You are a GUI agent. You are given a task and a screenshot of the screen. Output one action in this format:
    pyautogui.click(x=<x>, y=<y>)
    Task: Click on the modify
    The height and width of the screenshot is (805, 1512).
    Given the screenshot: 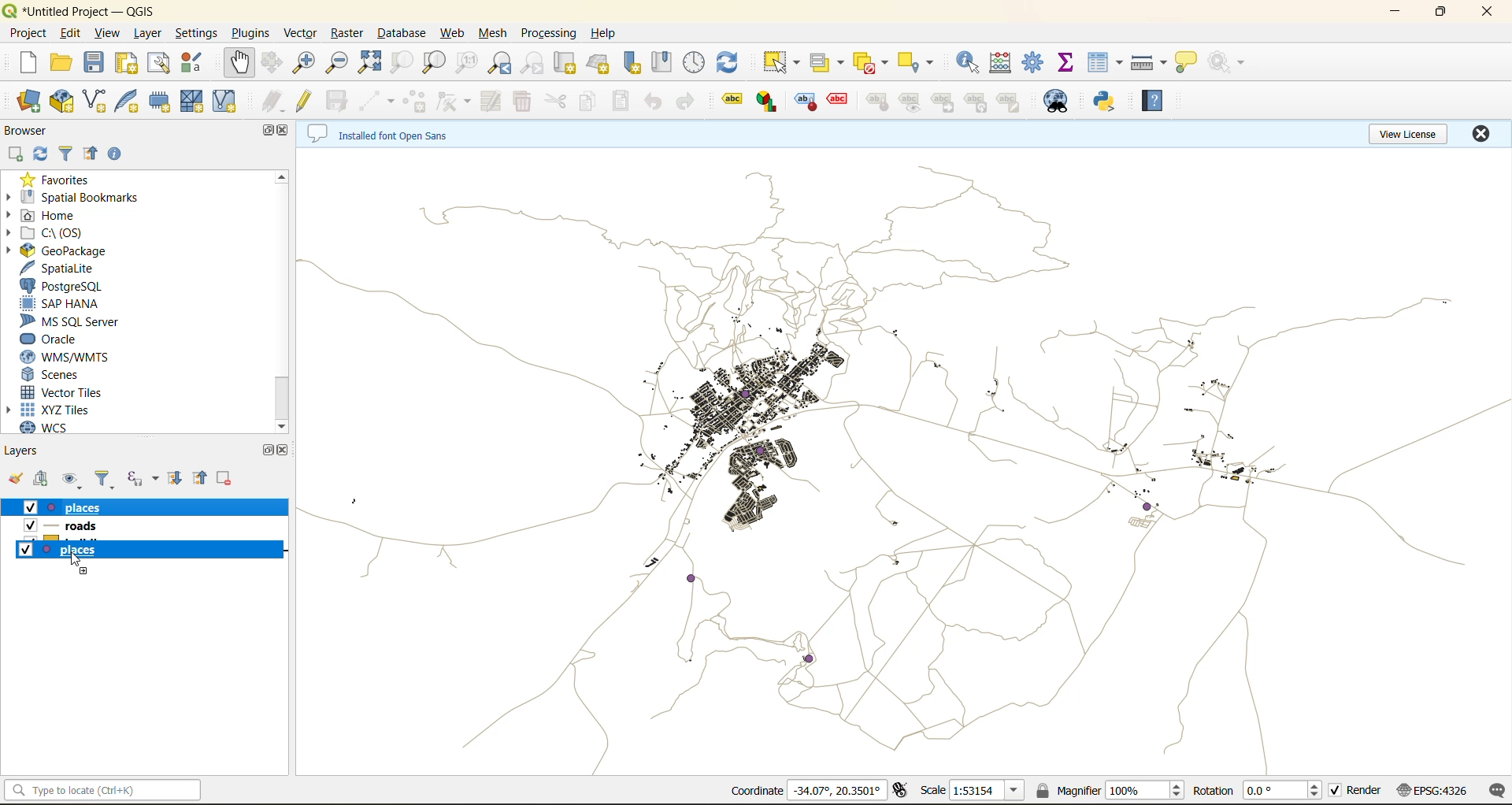 What is the action you would take?
    pyautogui.click(x=496, y=102)
    